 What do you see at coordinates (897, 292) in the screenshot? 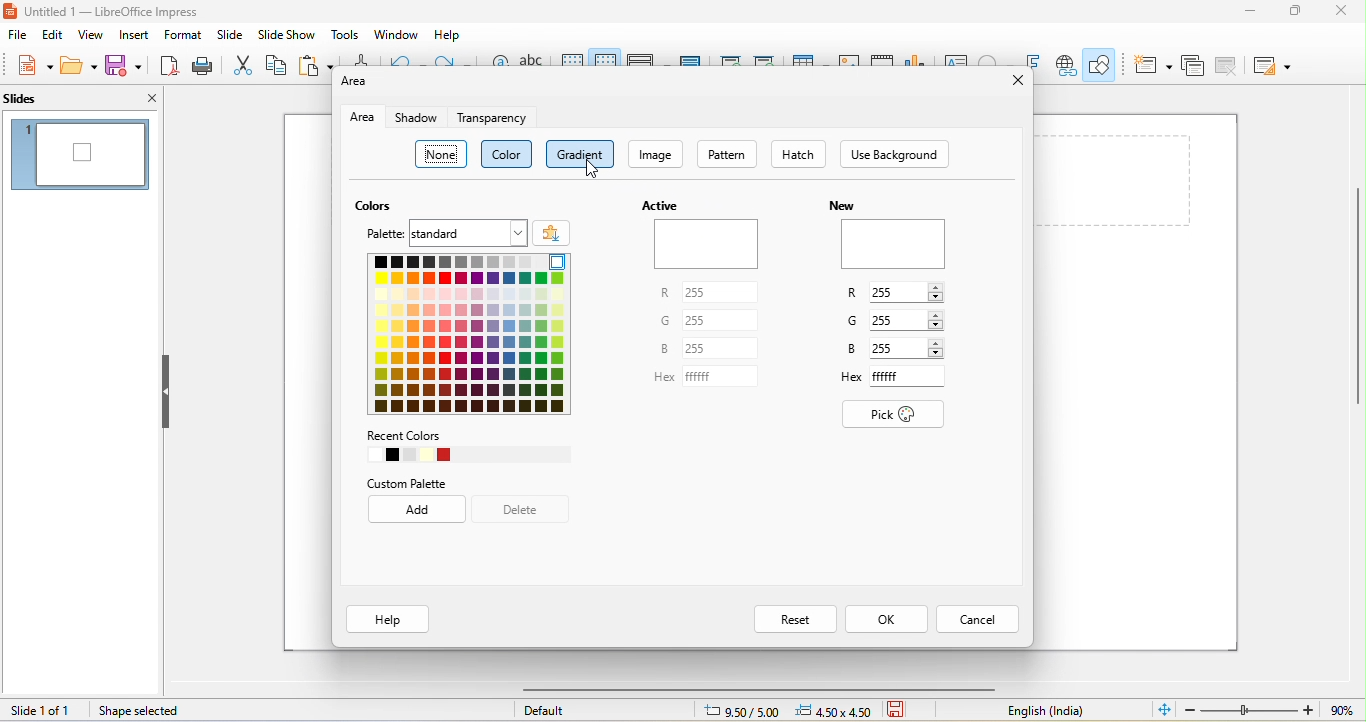
I see `255` at bounding box center [897, 292].